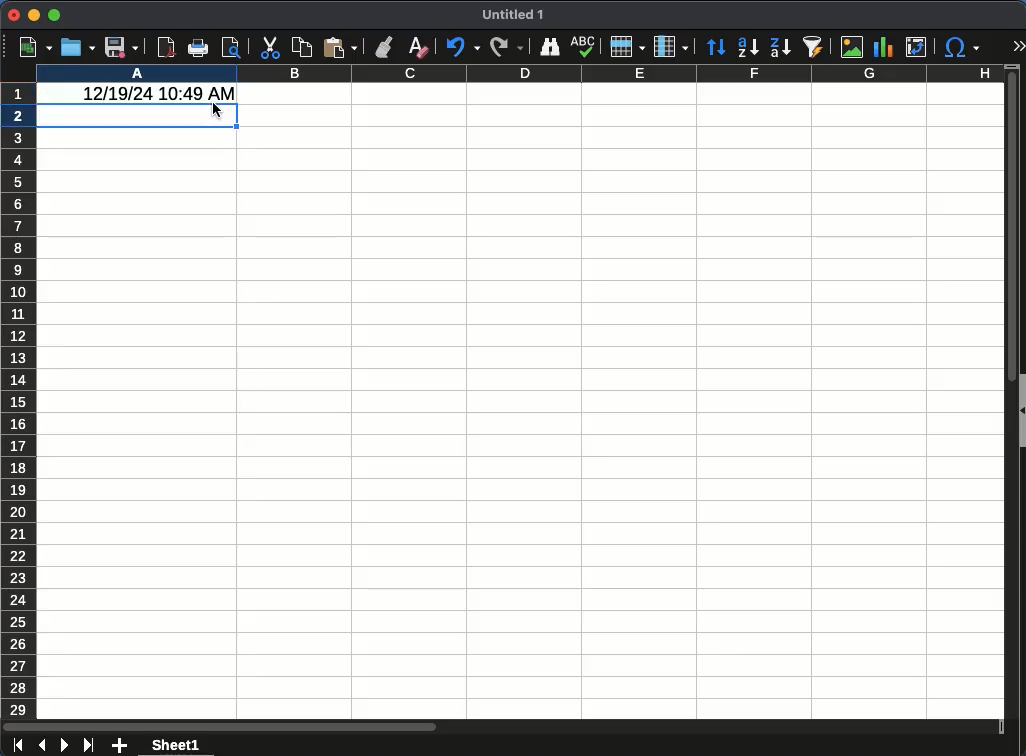 The width and height of the screenshot is (1026, 756). Describe the element at coordinates (628, 47) in the screenshot. I see `row` at that location.